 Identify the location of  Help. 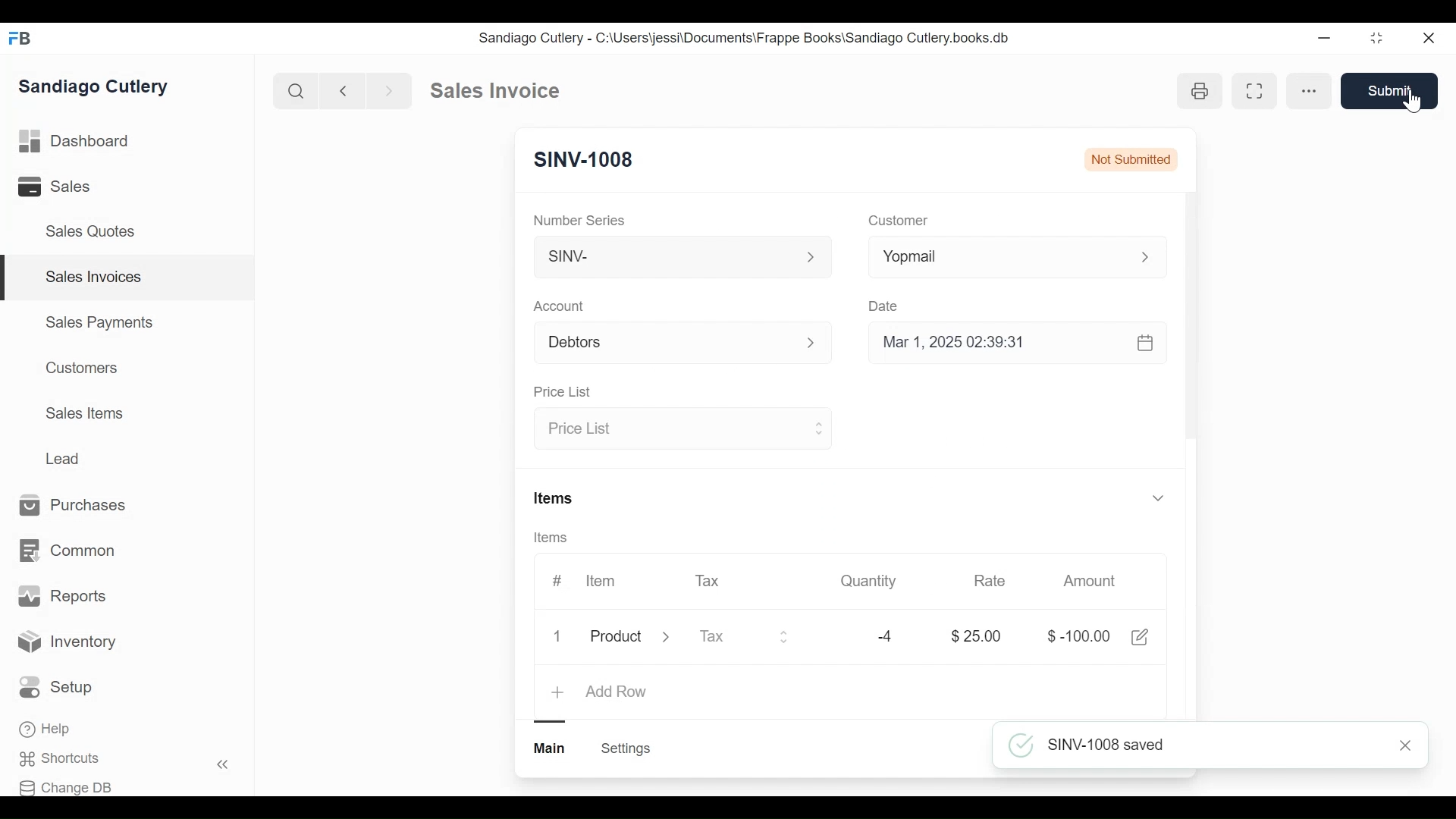
(45, 729).